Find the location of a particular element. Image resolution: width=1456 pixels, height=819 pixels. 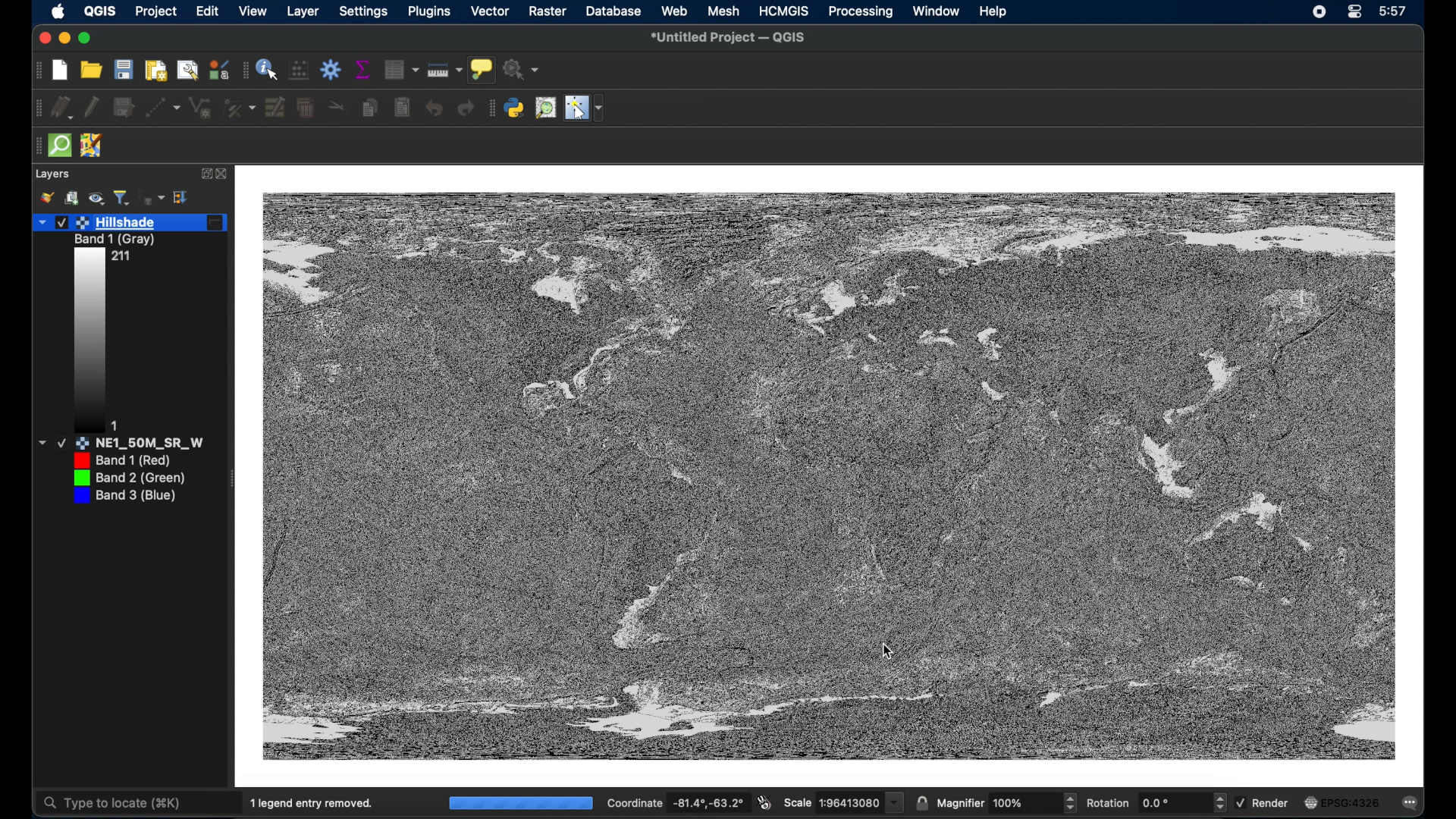

filter legend is located at coordinates (122, 197).